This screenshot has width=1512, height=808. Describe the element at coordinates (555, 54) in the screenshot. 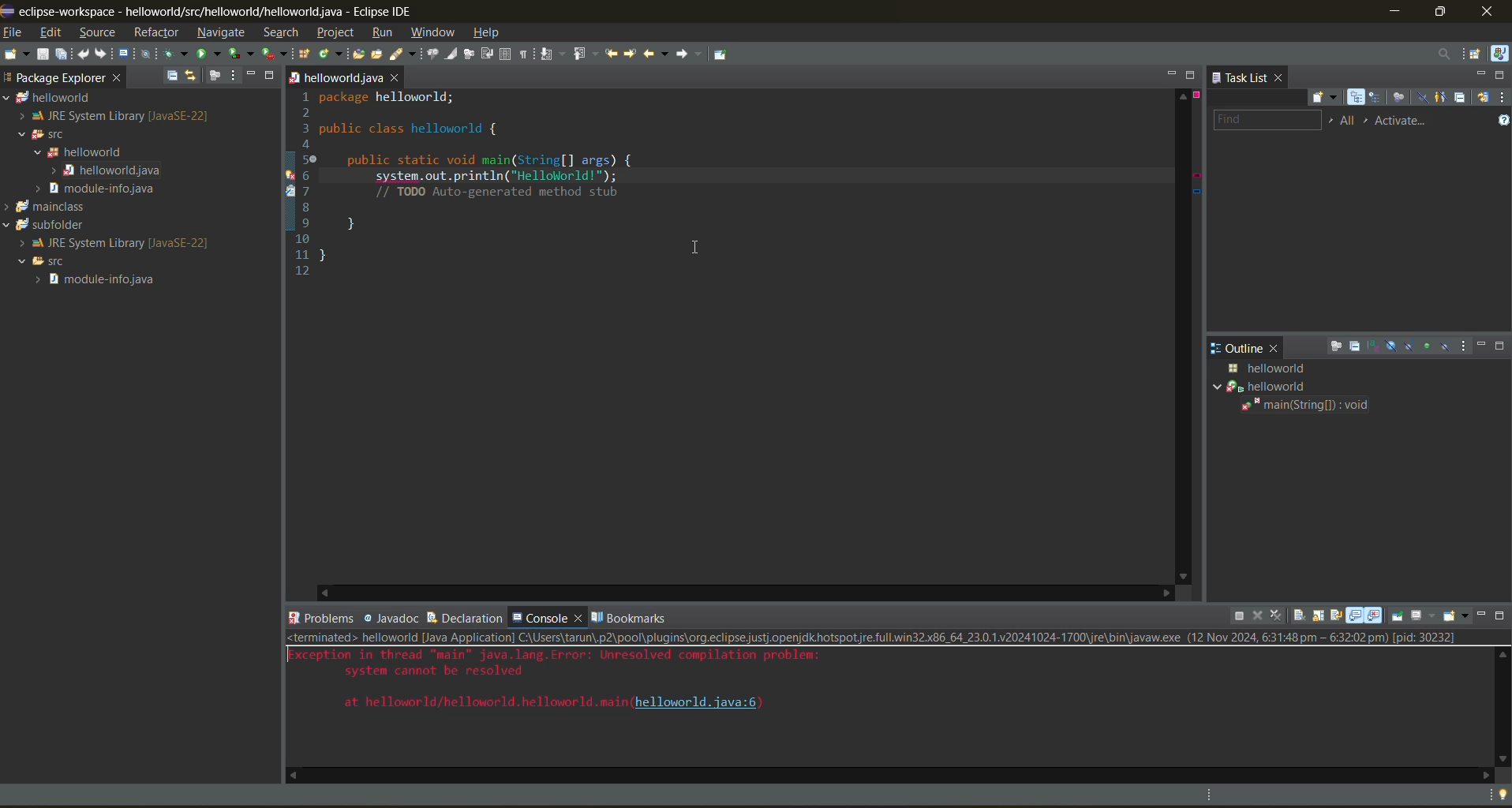

I see `next annotation` at that location.